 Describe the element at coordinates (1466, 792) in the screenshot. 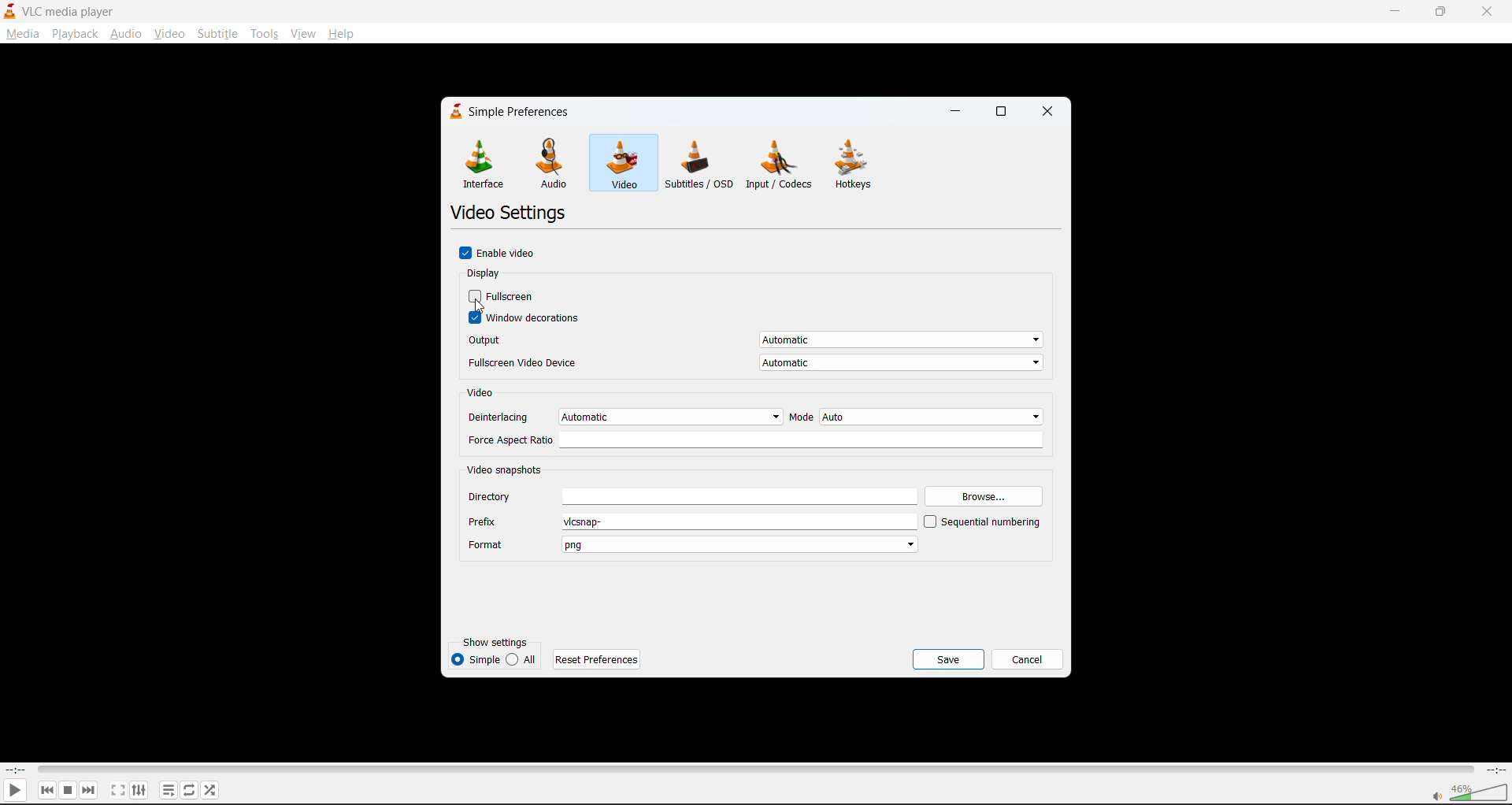

I see `volume` at that location.